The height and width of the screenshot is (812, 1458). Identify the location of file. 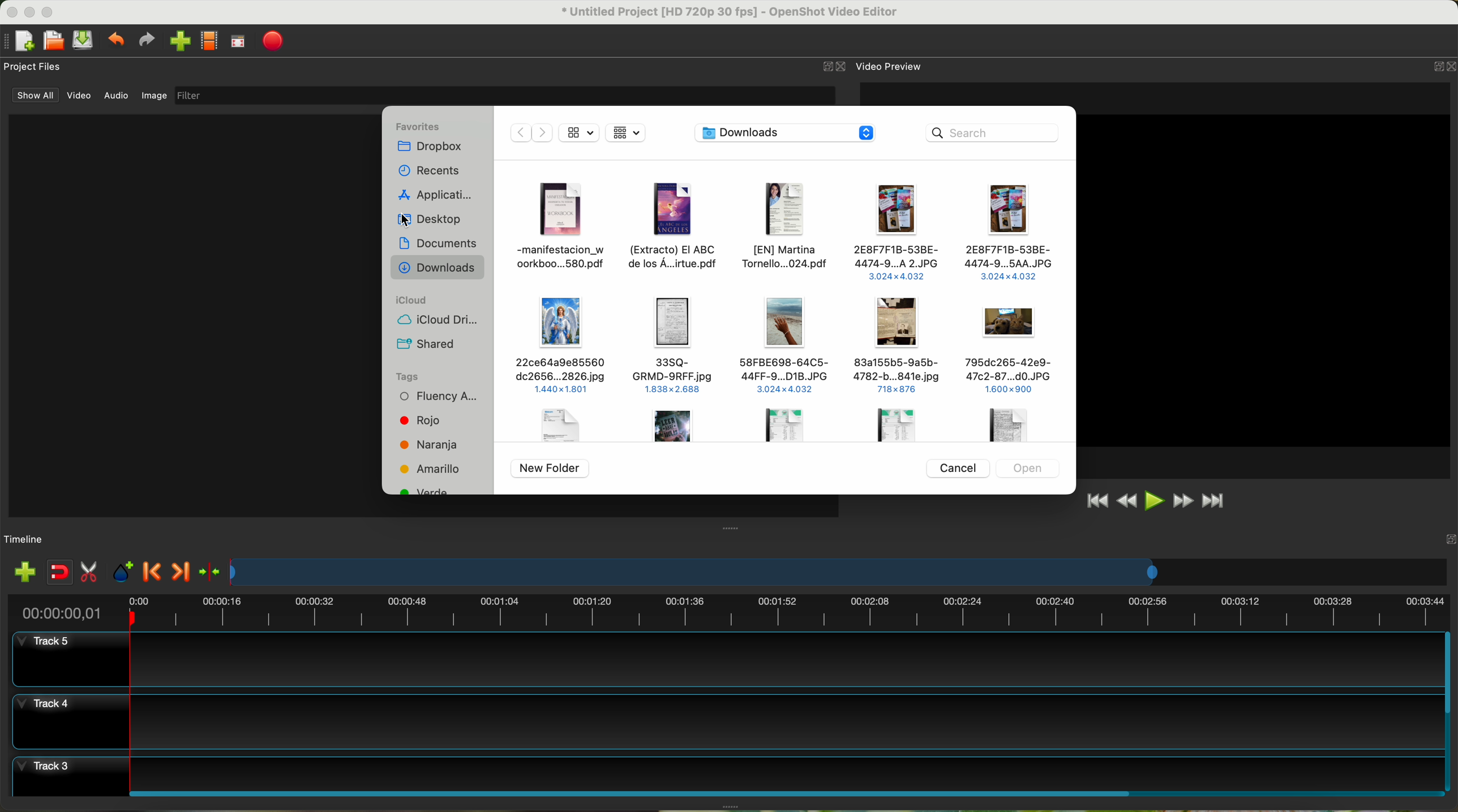
(1010, 424).